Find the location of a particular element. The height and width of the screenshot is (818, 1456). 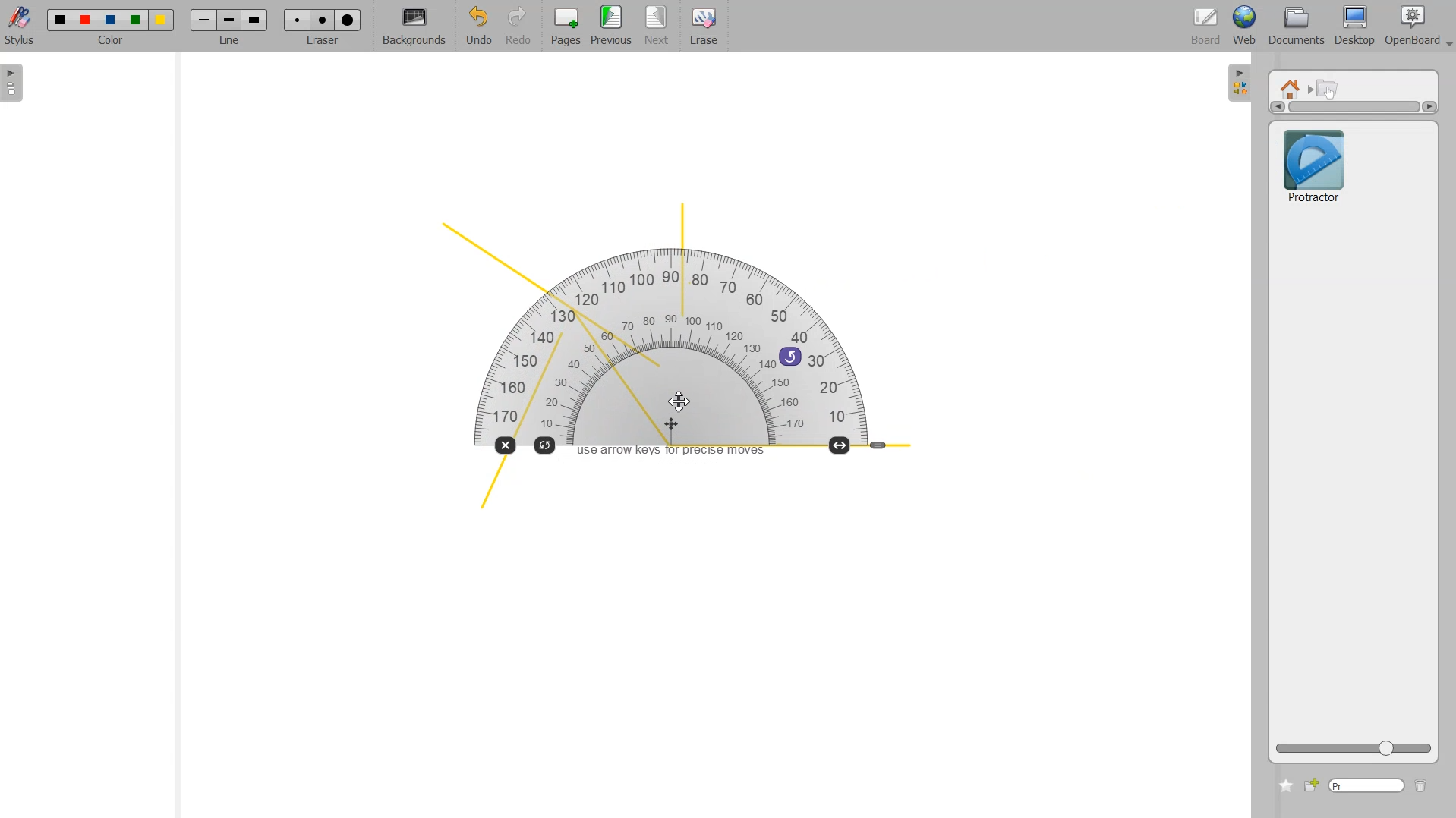

color is located at coordinates (112, 42).